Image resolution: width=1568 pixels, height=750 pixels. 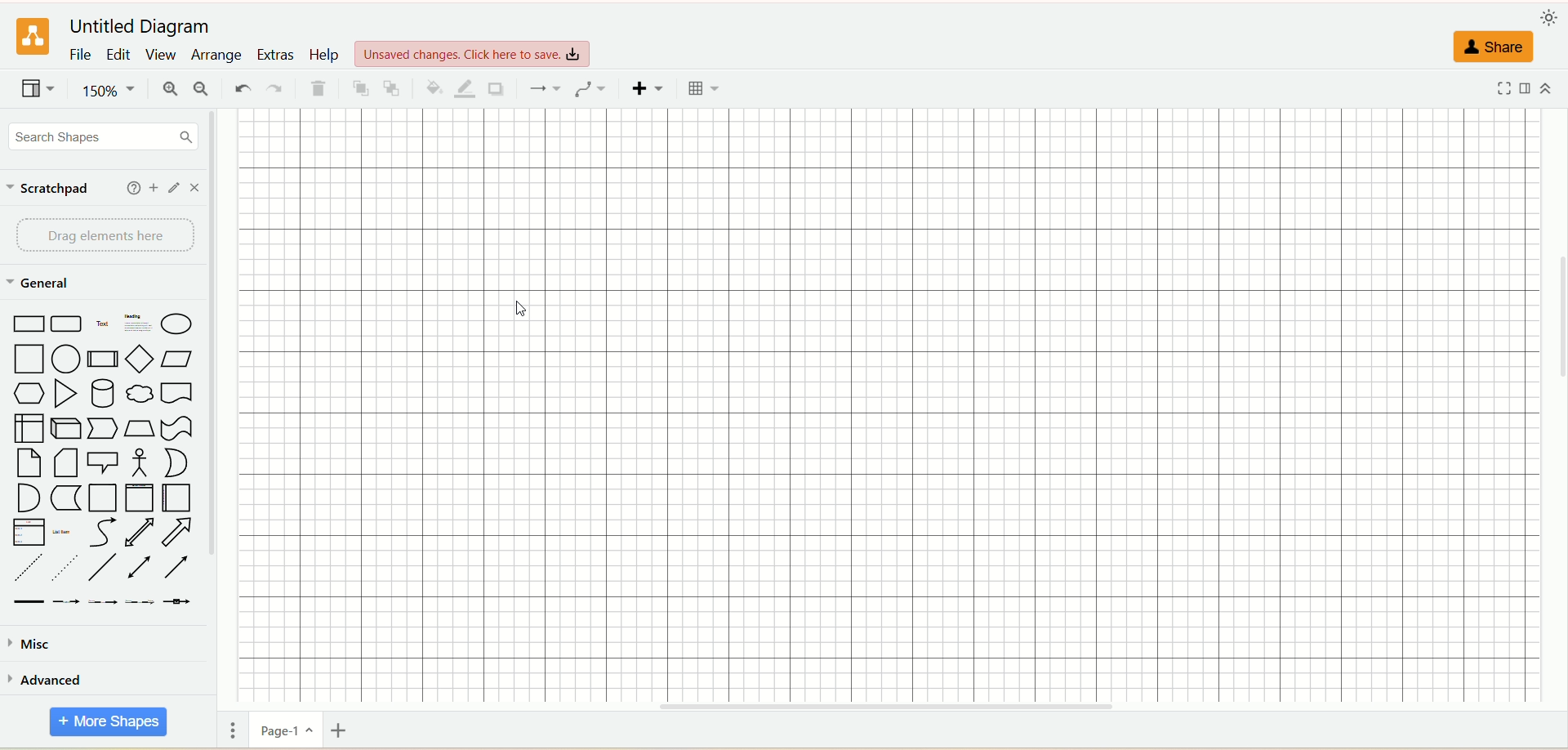 What do you see at coordinates (497, 88) in the screenshot?
I see `shadow` at bounding box center [497, 88].